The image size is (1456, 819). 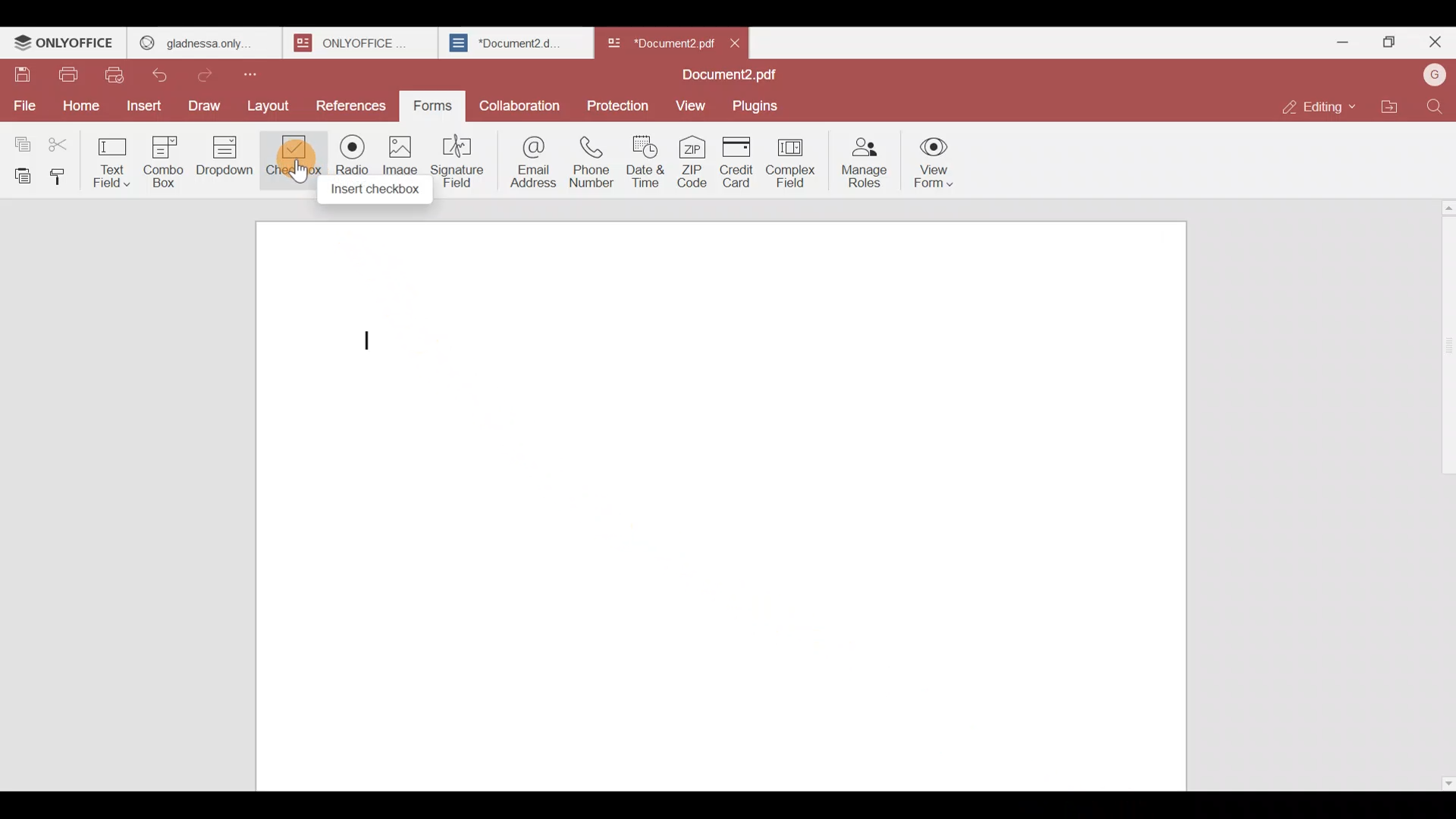 I want to click on onlyoffice, so click(x=355, y=42).